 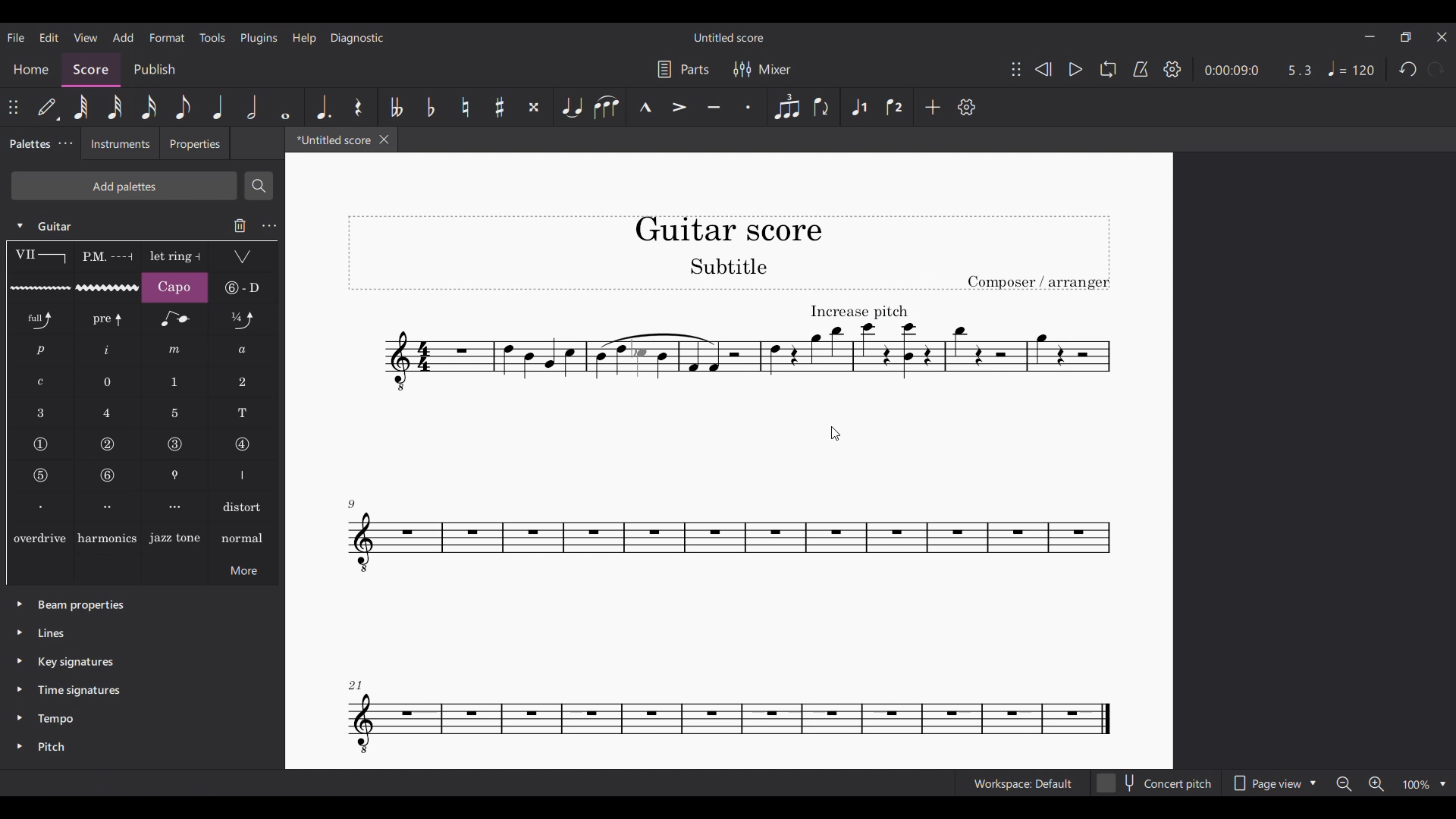 I want to click on 32nd note, so click(x=115, y=107).